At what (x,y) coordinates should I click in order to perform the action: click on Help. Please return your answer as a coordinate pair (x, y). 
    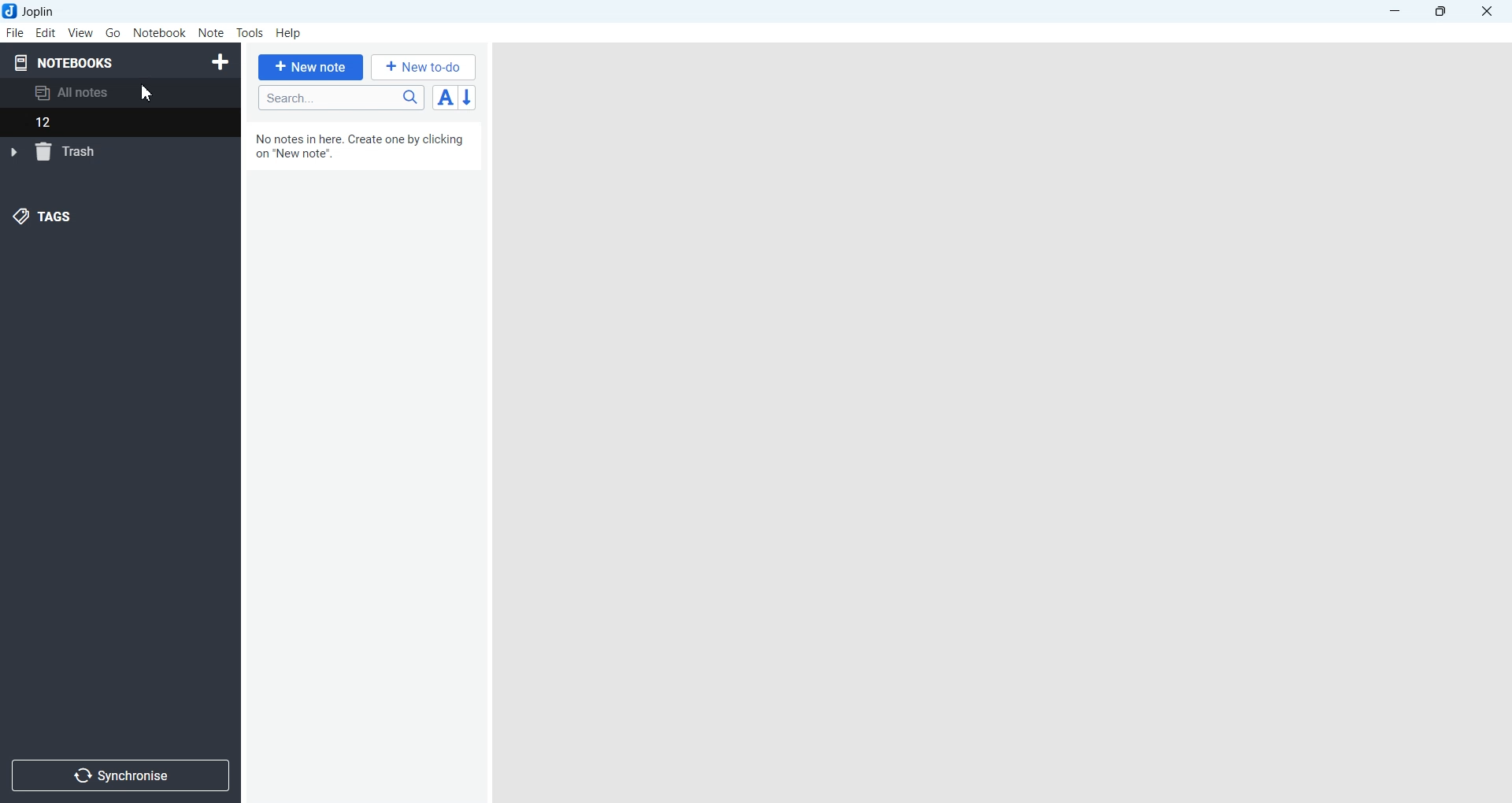
    Looking at the image, I should click on (290, 34).